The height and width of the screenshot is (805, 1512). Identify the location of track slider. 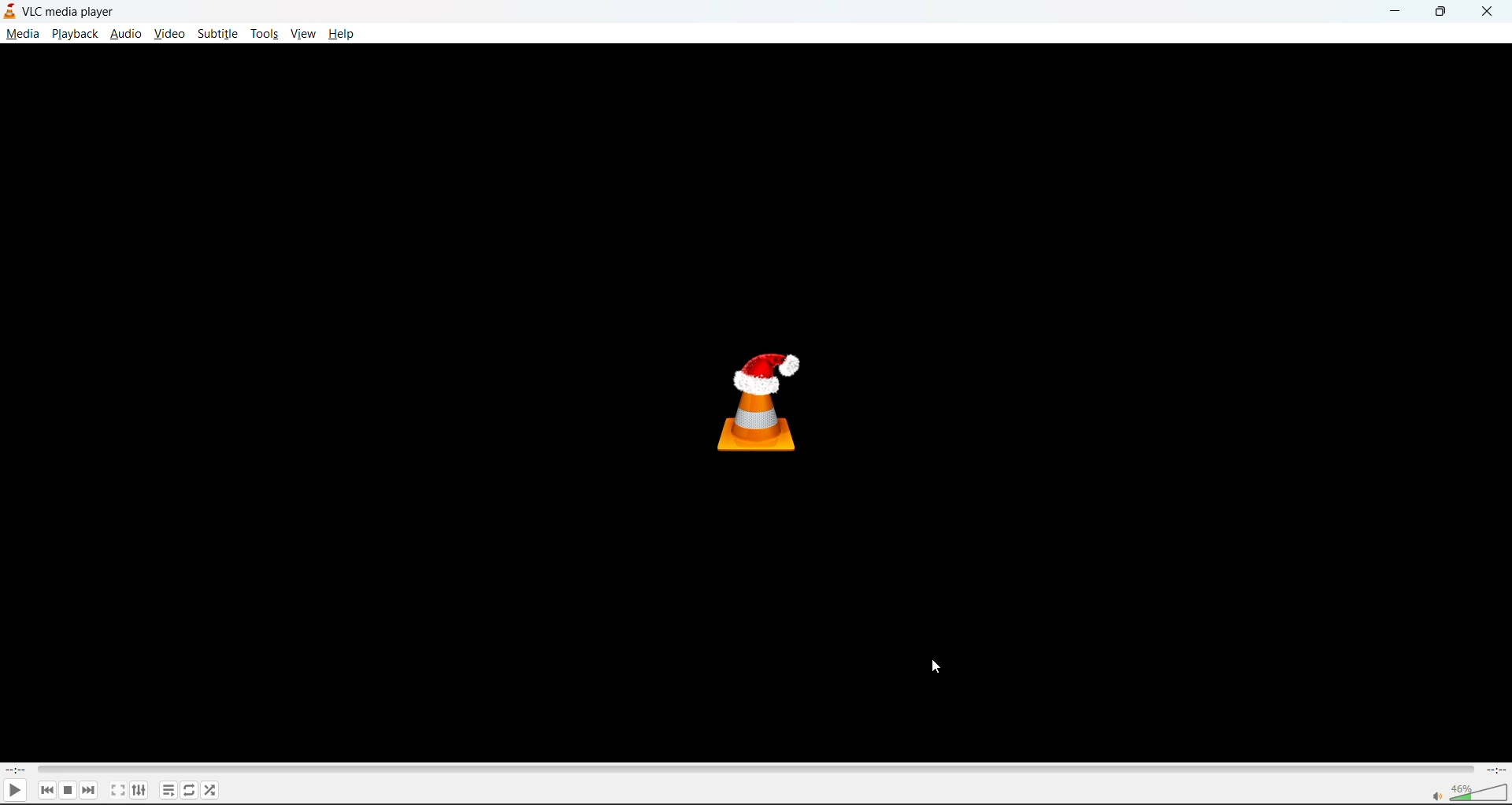
(751, 768).